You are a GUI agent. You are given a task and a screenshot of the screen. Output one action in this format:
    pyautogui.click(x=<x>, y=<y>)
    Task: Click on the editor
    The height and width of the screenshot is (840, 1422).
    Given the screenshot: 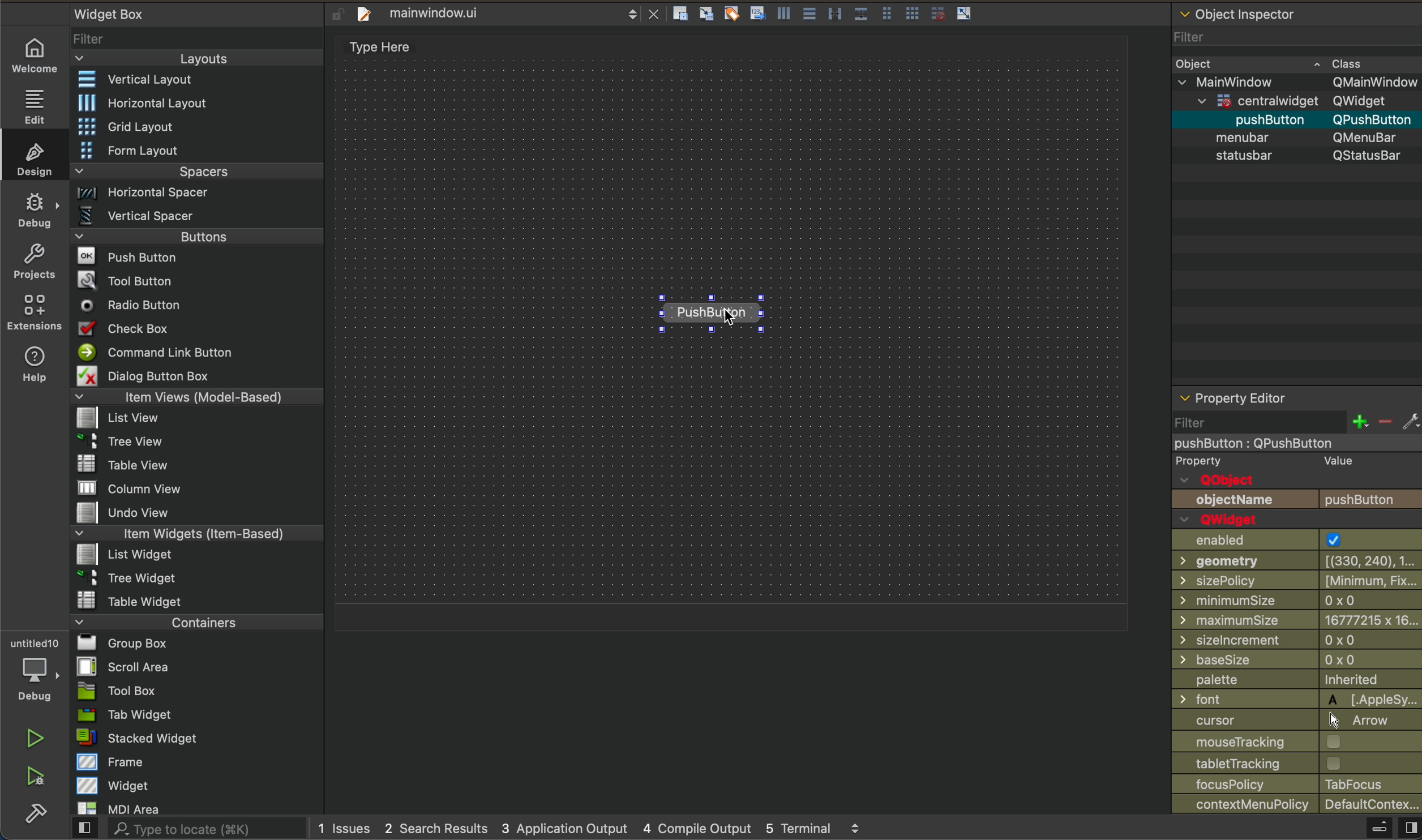 What is the action you would take?
    pyautogui.click(x=374, y=44)
    